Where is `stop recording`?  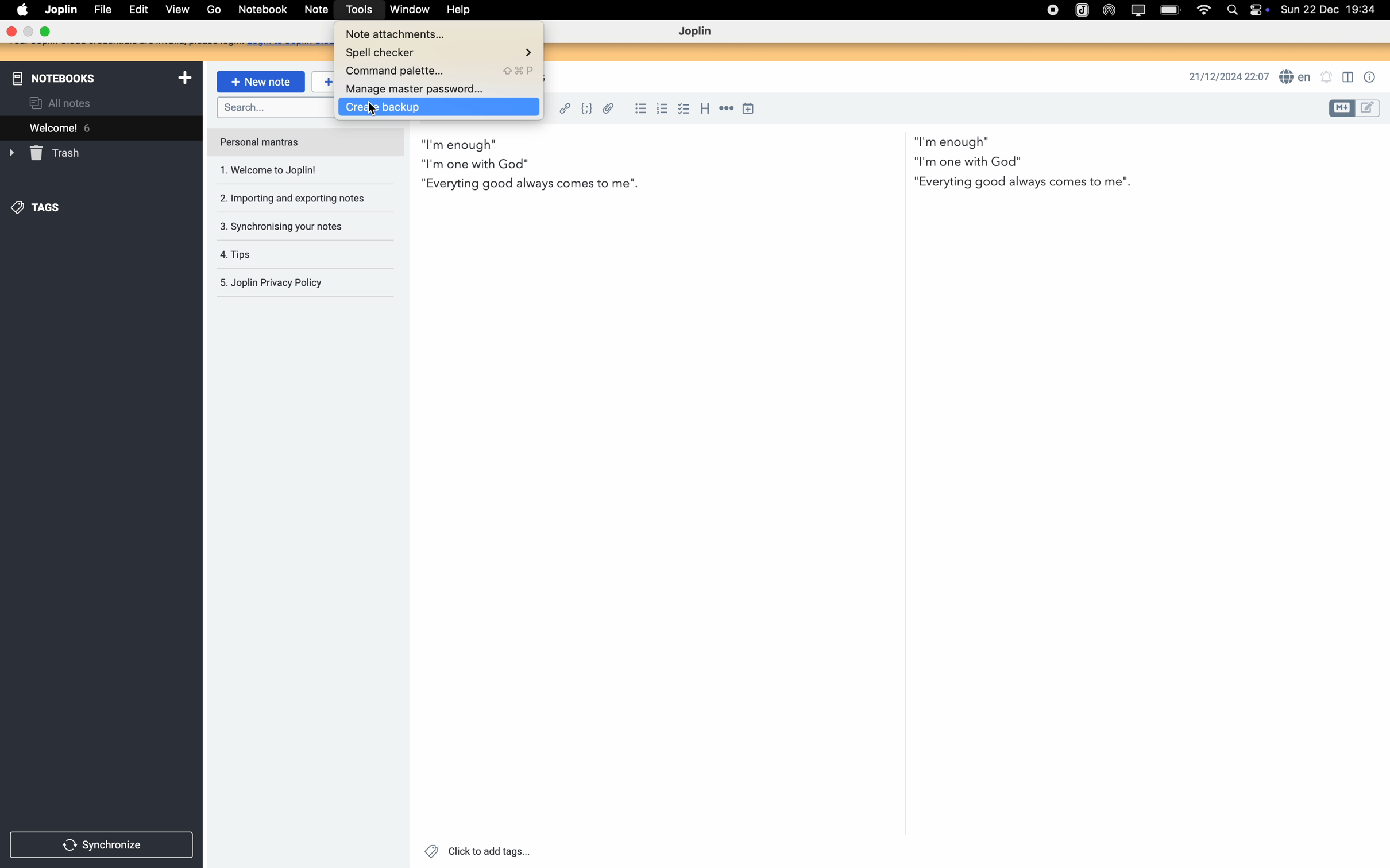
stop recording is located at coordinates (1051, 11).